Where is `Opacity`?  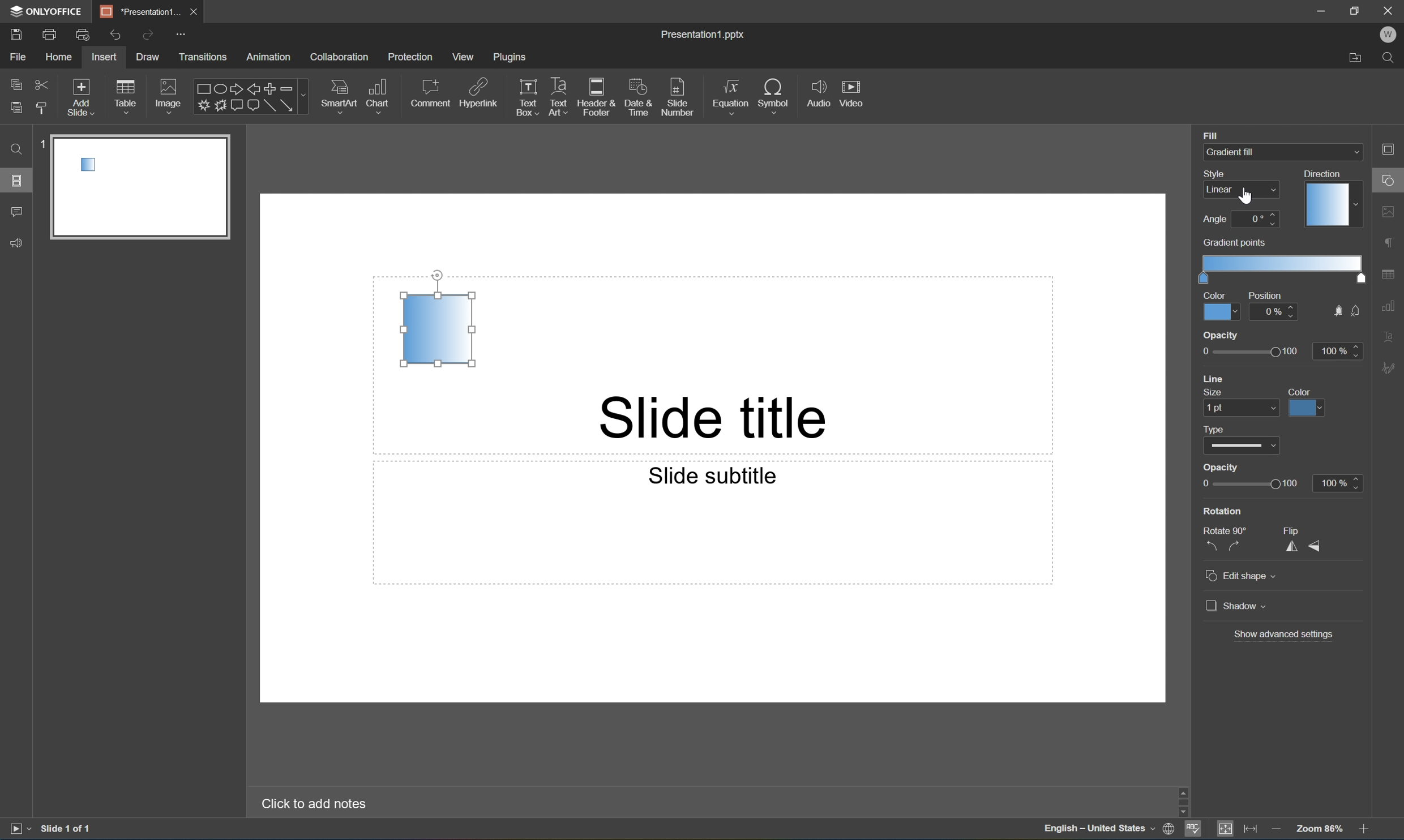 Opacity is located at coordinates (1222, 469).